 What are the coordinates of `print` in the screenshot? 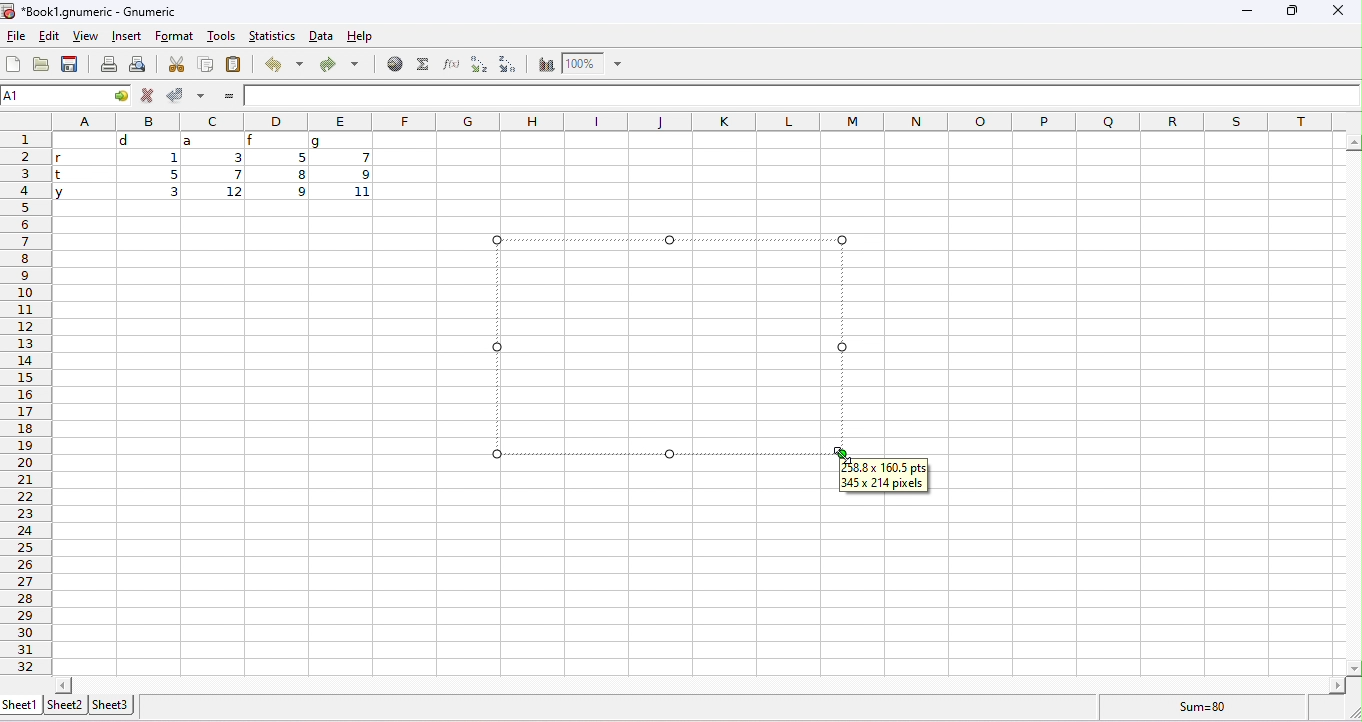 It's located at (108, 64).